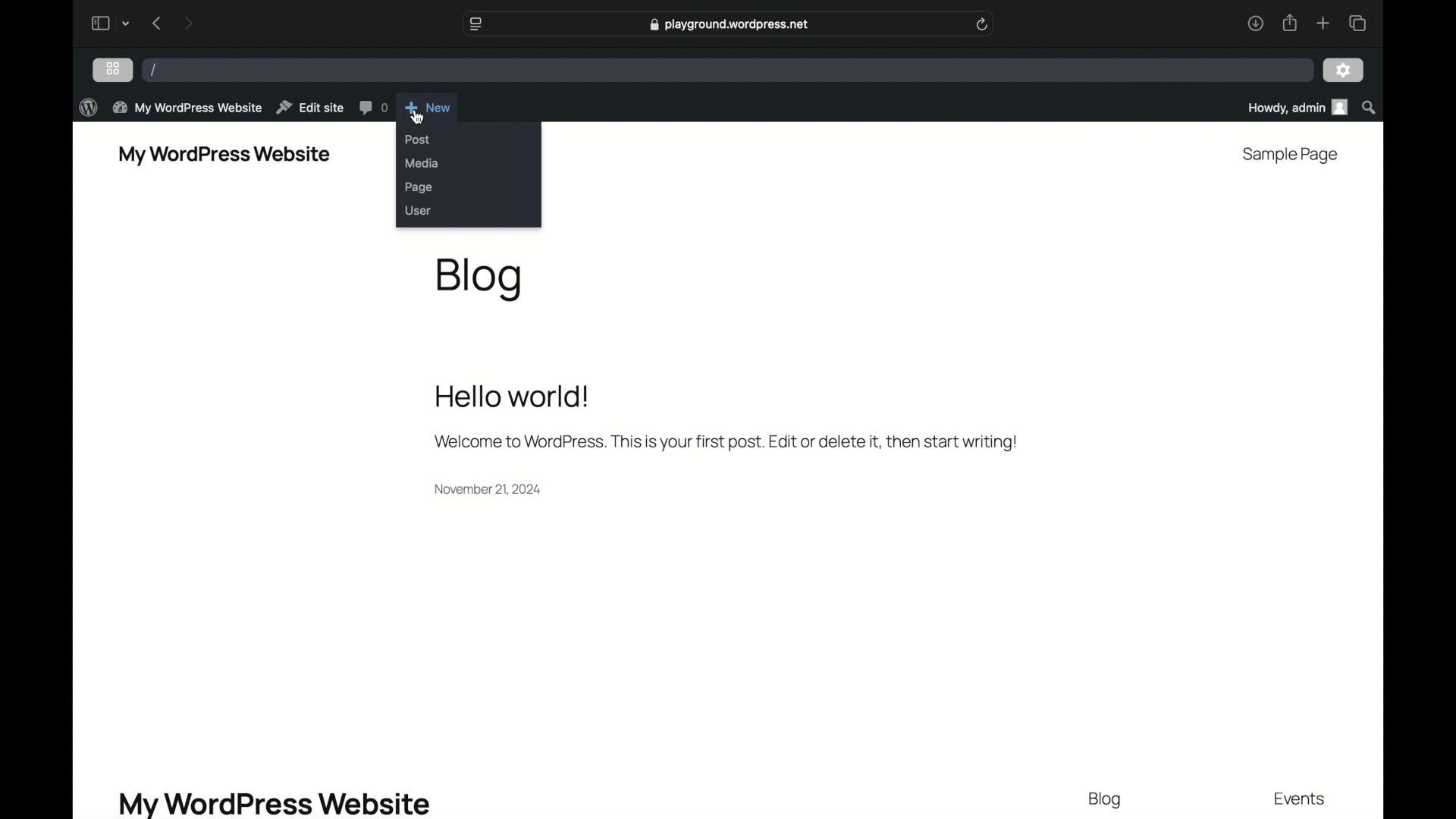 This screenshot has width=1456, height=819. What do you see at coordinates (1370, 108) in the screenshot?
I see `search` at bounding box center [1370, 108].